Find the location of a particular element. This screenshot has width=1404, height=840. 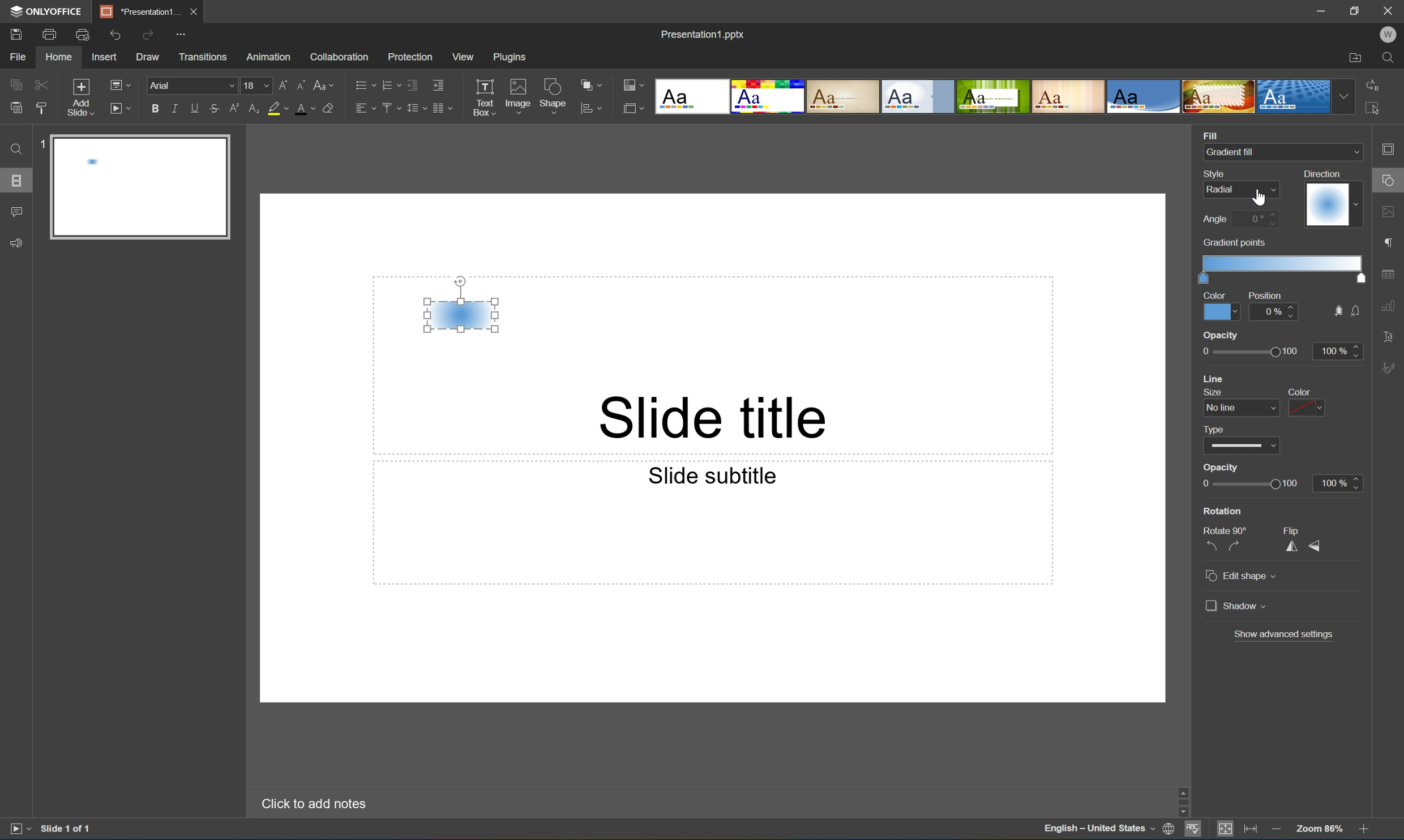

Comments is located at coordinates (16, 212).